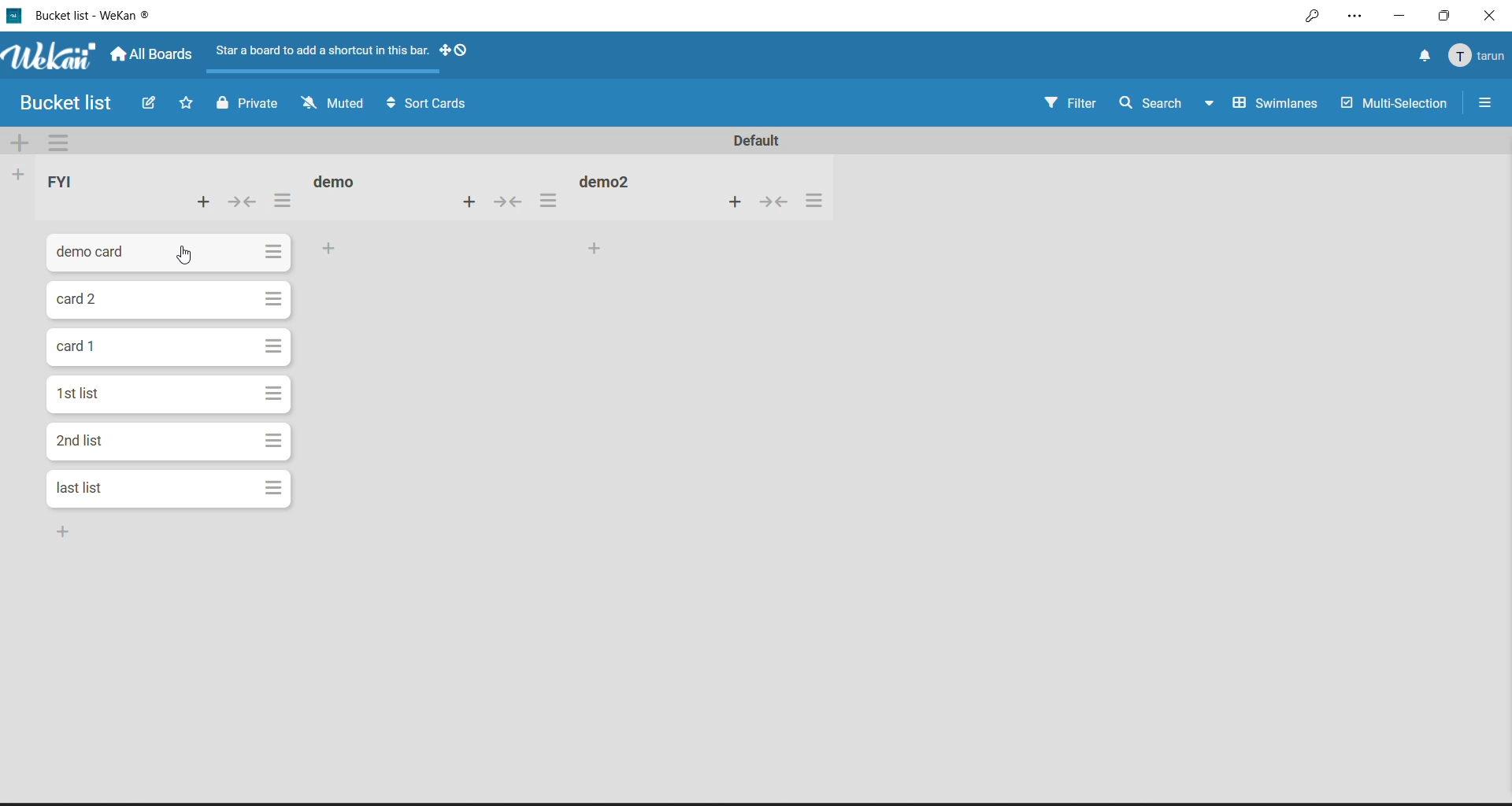 This screenshot has height=806, width=1512. Describe the element at coordinates (1394, 103) in the screenshot. I see `multi selection` at that location.